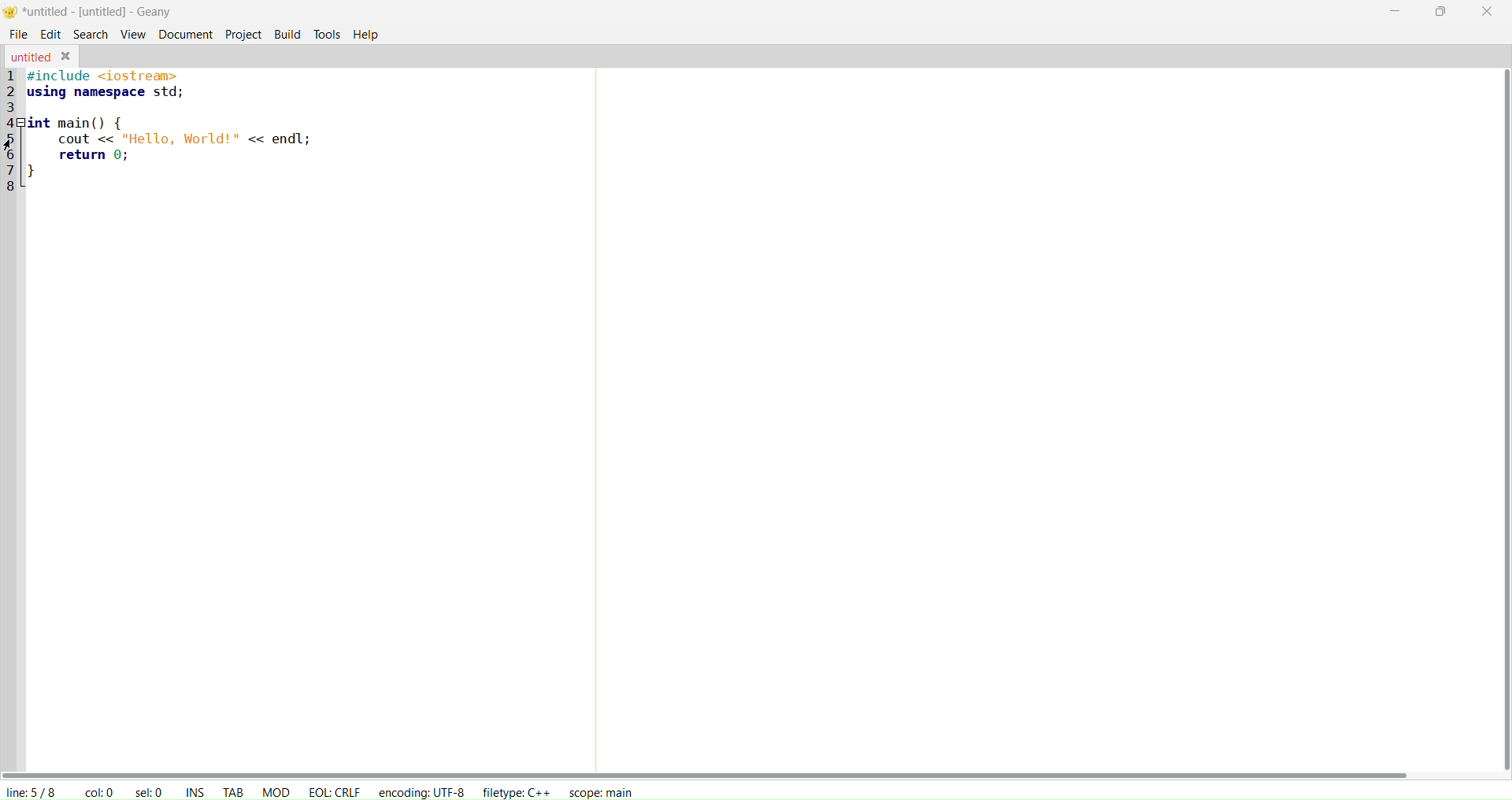 The height and width of the screenshot is (800, 1512). I want to click on encoding: UTF-8, so click(421, 793).